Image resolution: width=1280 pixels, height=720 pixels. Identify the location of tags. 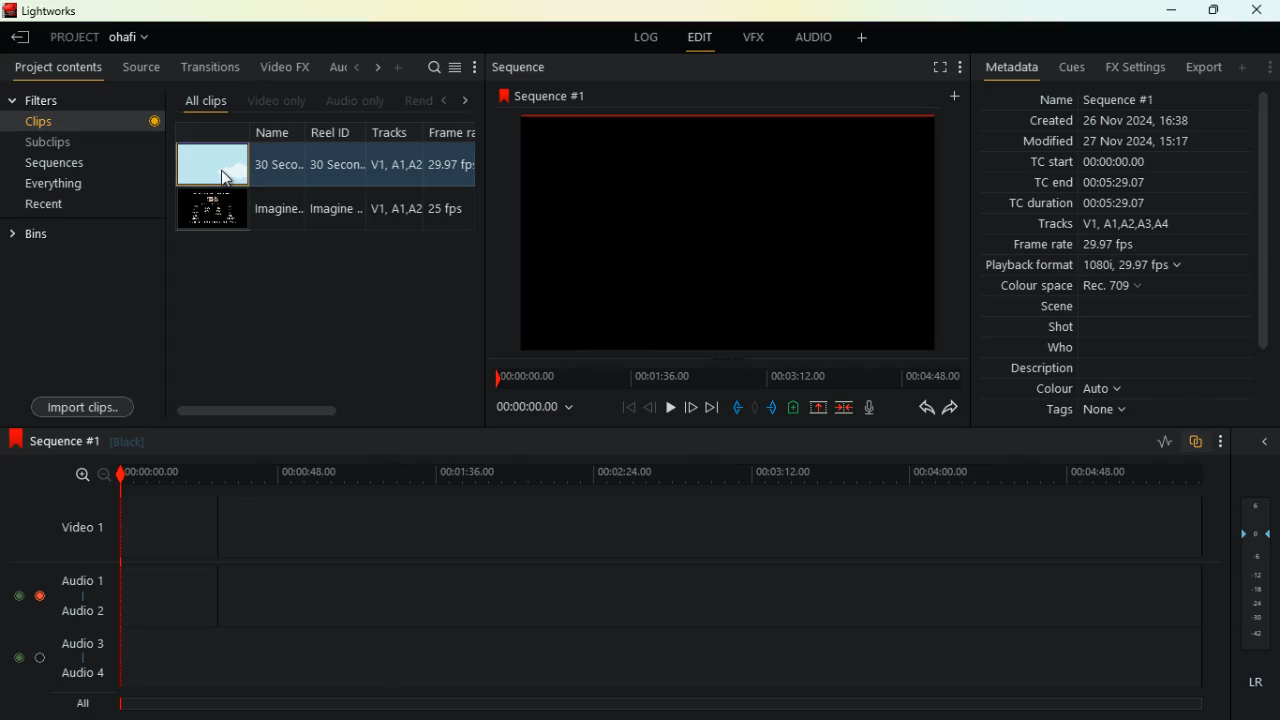
(1079, 411).